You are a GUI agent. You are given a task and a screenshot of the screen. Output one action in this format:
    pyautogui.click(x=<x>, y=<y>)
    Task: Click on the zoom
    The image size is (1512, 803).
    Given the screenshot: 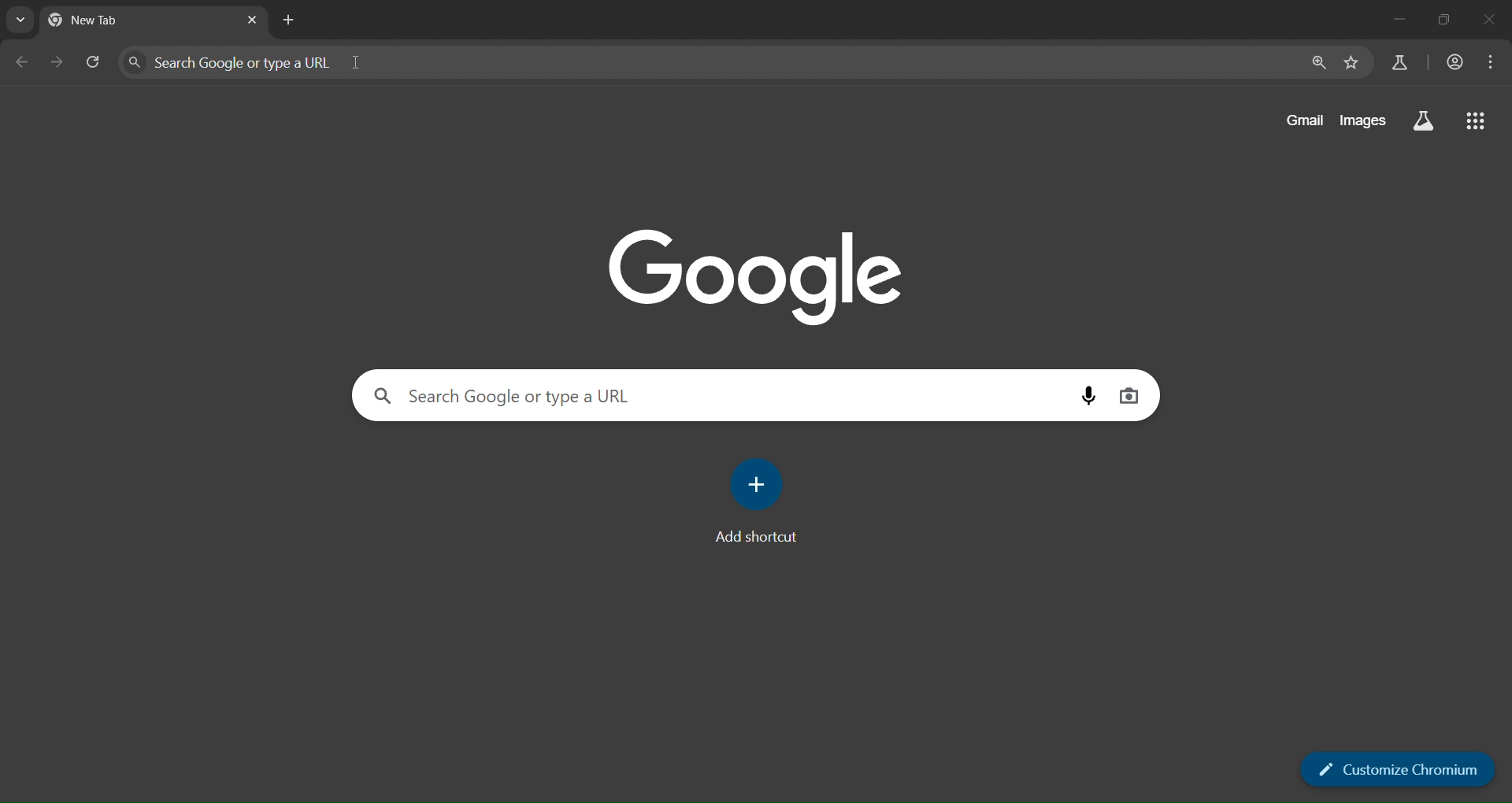 What is the action you would take?
    pyautogui.click(x=1317, y=62)
    